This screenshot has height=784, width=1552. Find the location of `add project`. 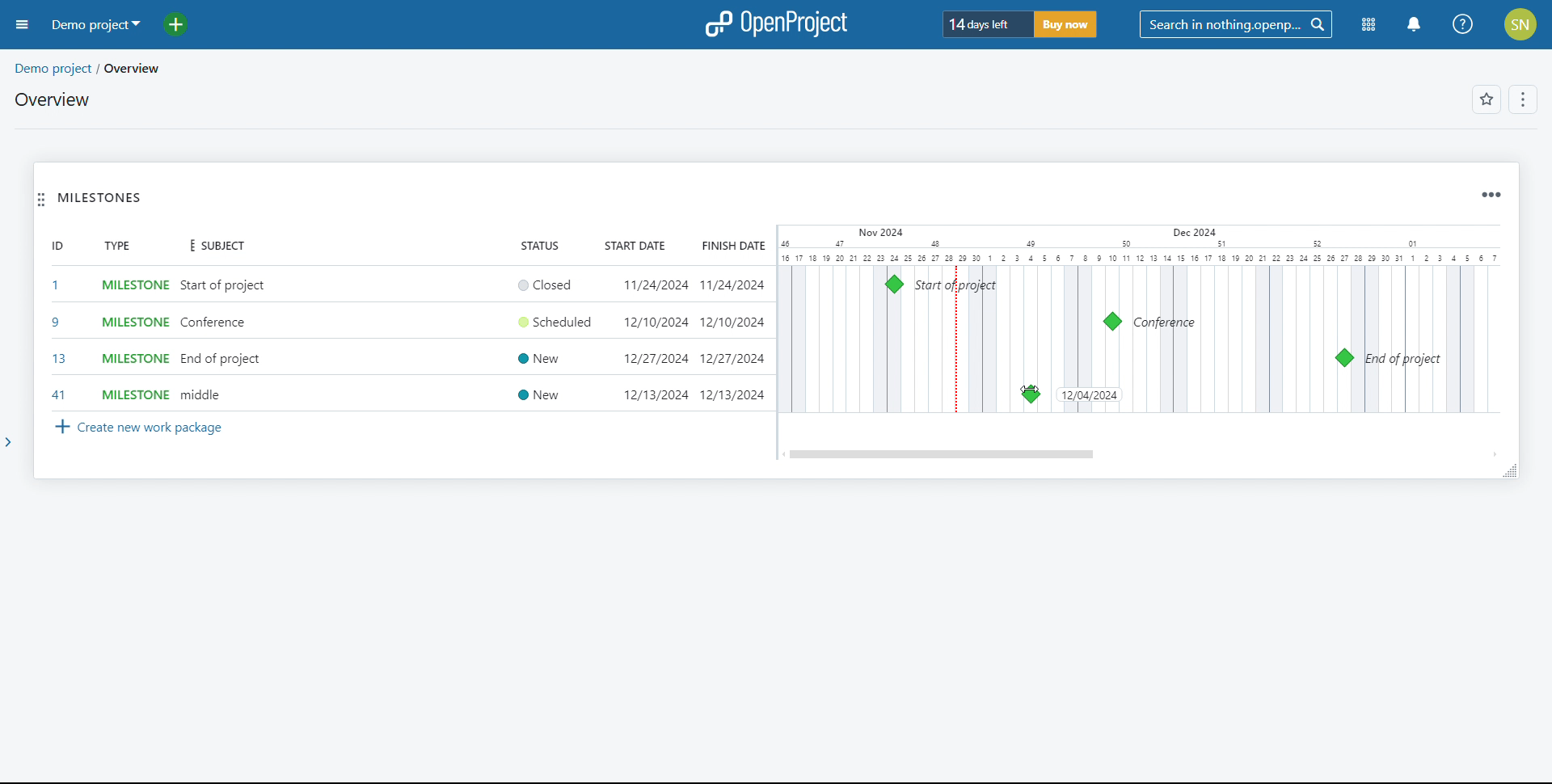

add project is located at coordinates (185, 25).